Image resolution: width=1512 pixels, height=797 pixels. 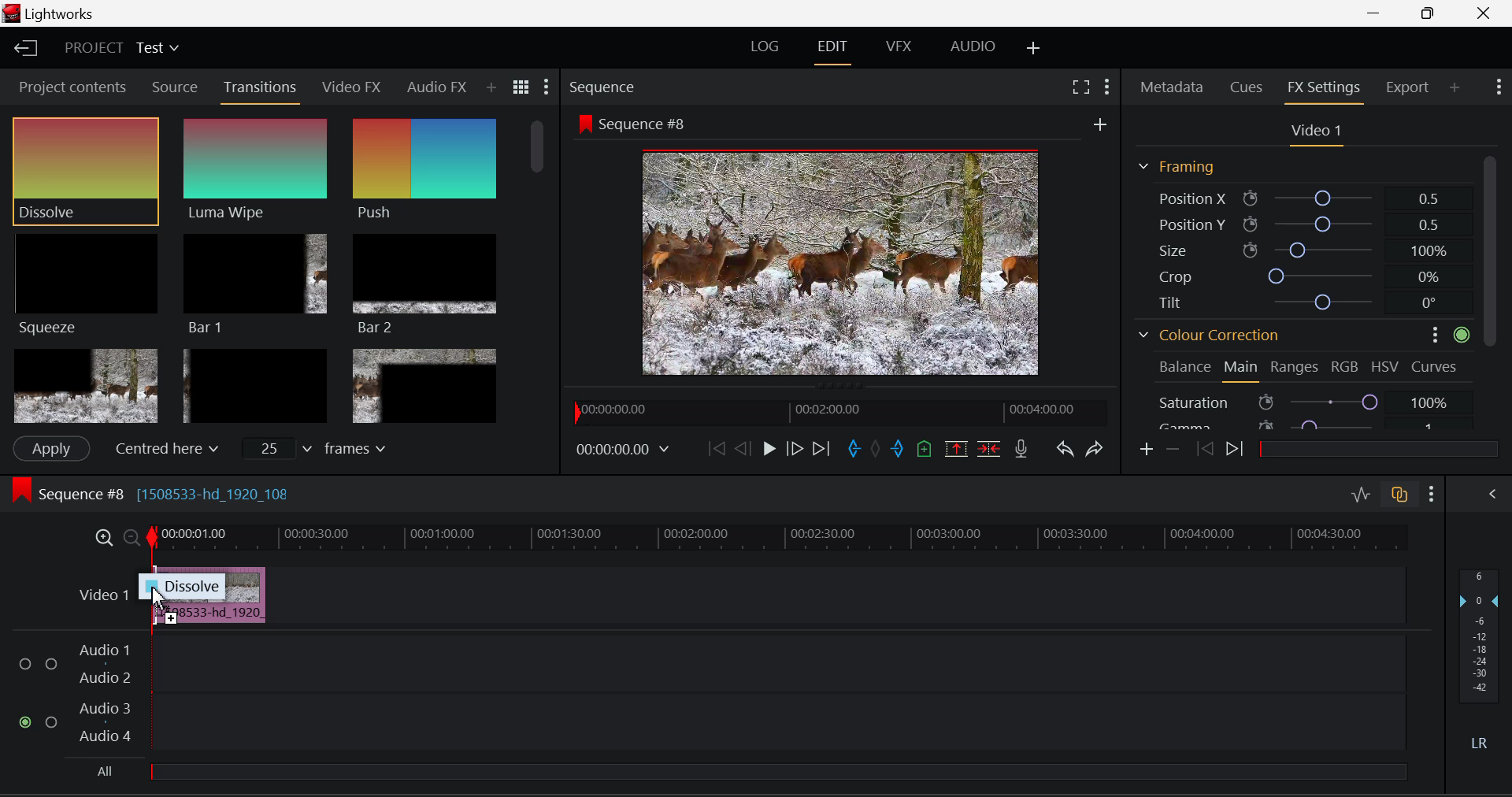 I want to click on Previous keyframe, so click(x=1204, y=450).